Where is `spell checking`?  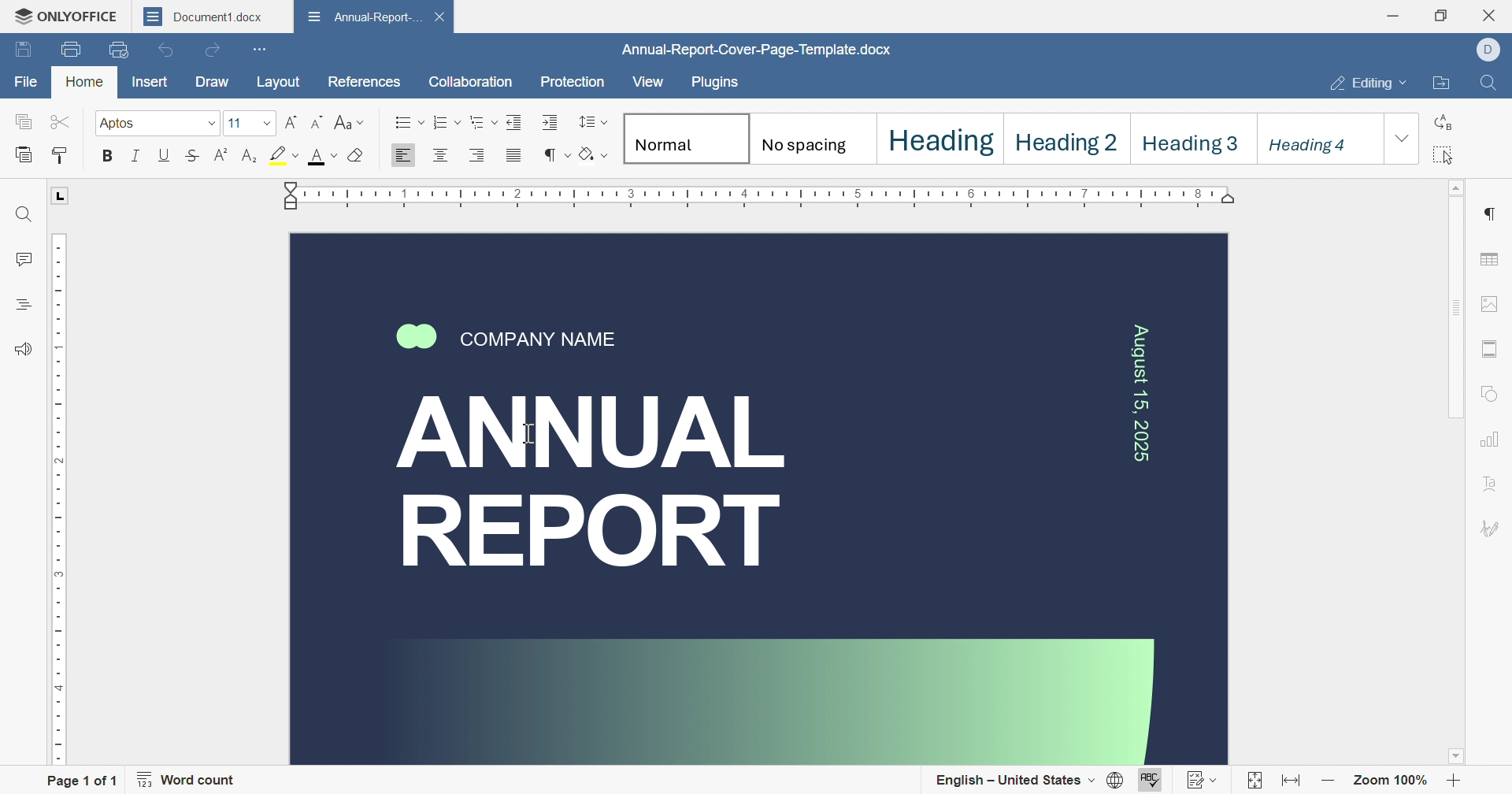 spell checking is located at coordinates (1151, 781).